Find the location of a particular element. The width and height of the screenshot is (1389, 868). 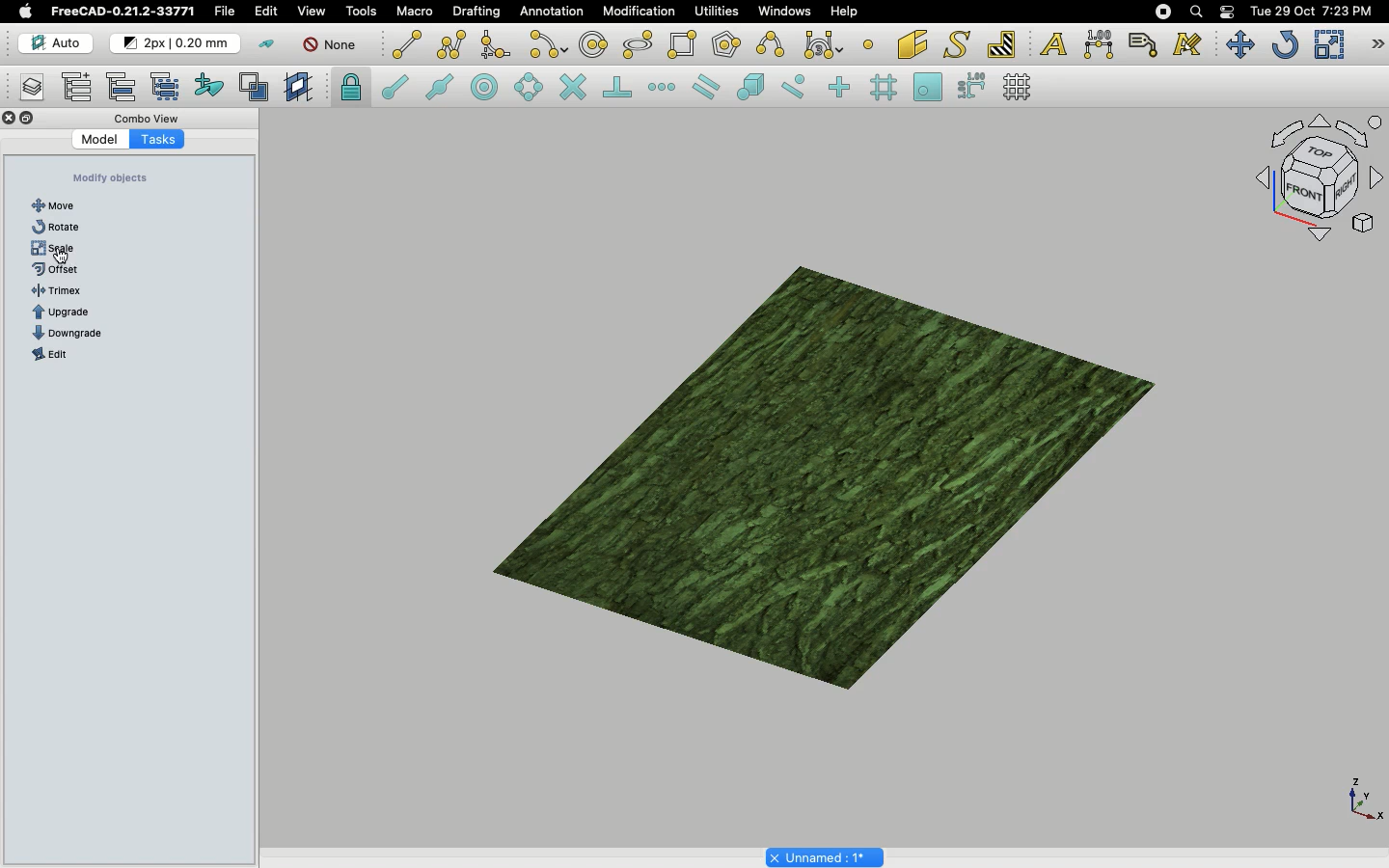

Snap midpoint is located at coordinates (437, 86).